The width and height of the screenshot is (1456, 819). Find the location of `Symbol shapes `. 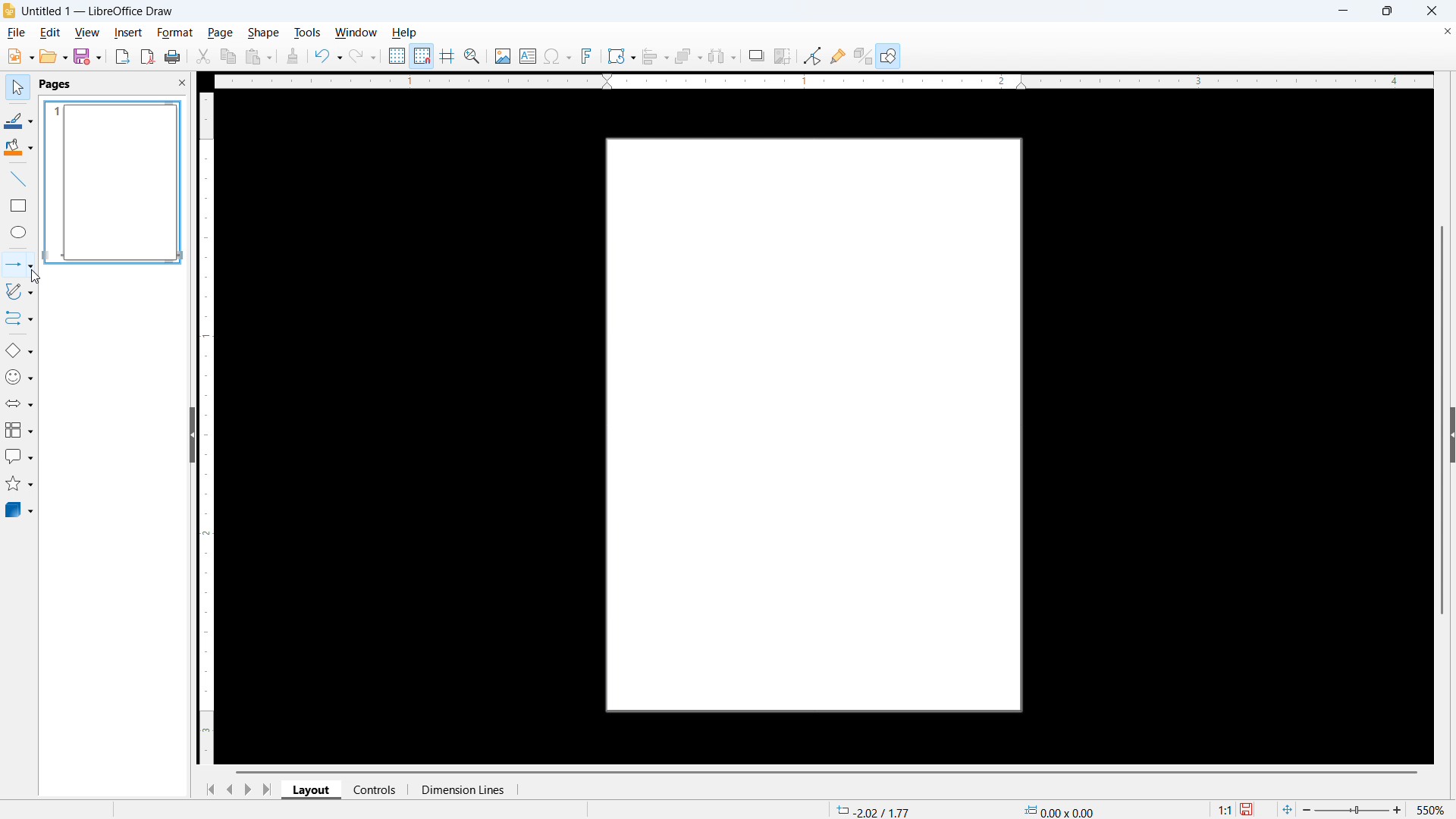

Symbol shapes  is located at coordinates (19, 377).